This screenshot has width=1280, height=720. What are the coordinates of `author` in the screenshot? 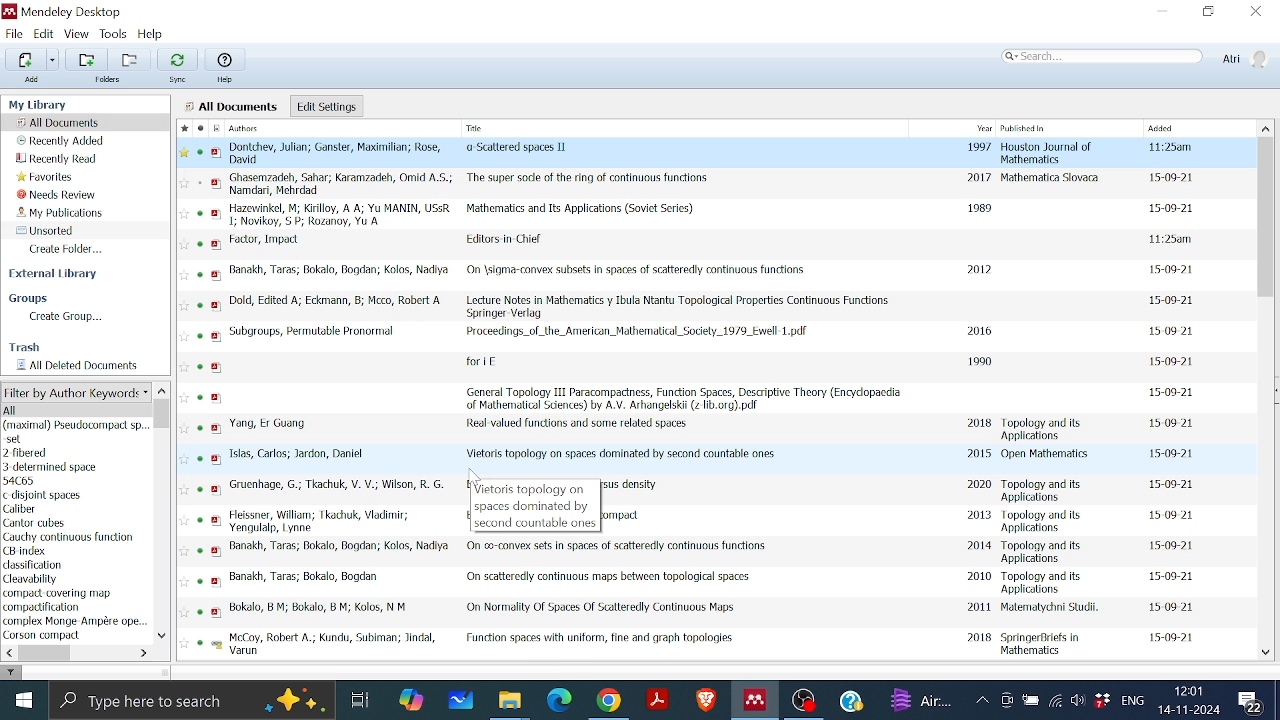 It's located at (35, 523).